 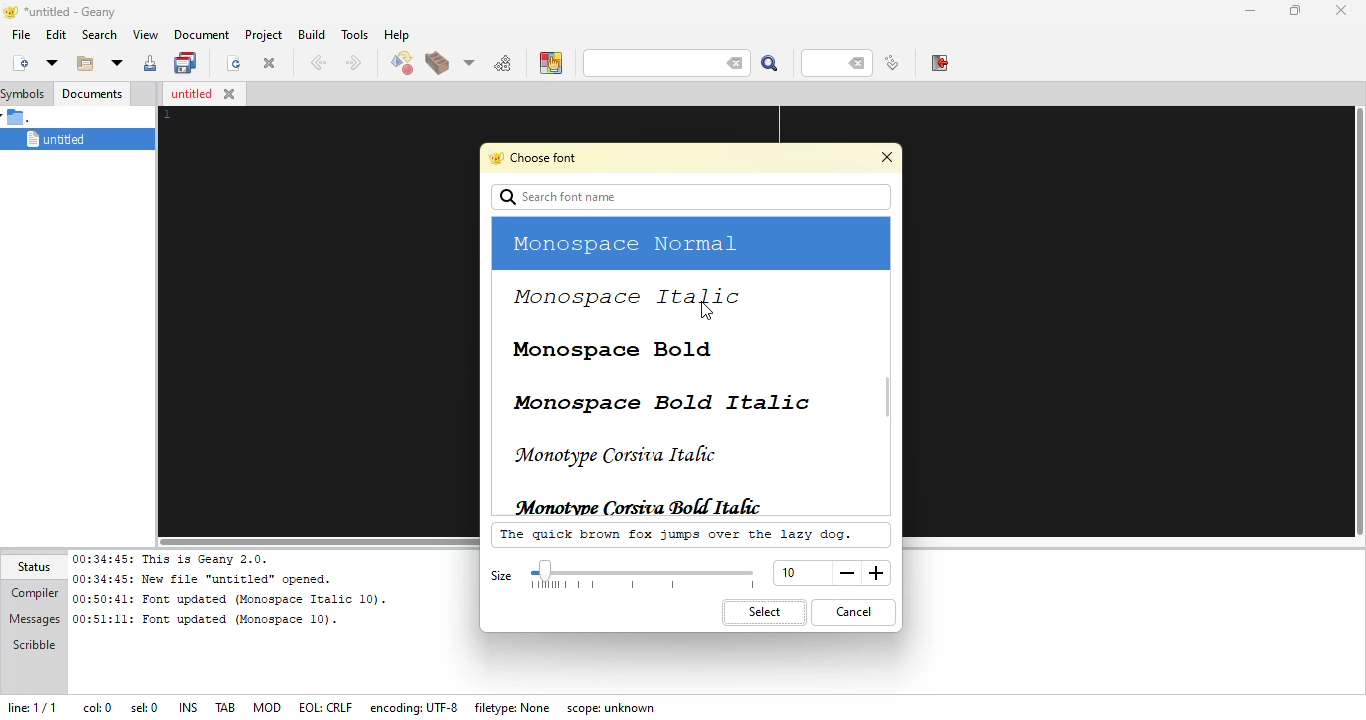 What do you see at coordinates (675, 534) in the screenshot?
I see `the quick brown fox jumps over the lazy dog.` at bounding box center [675, 534].